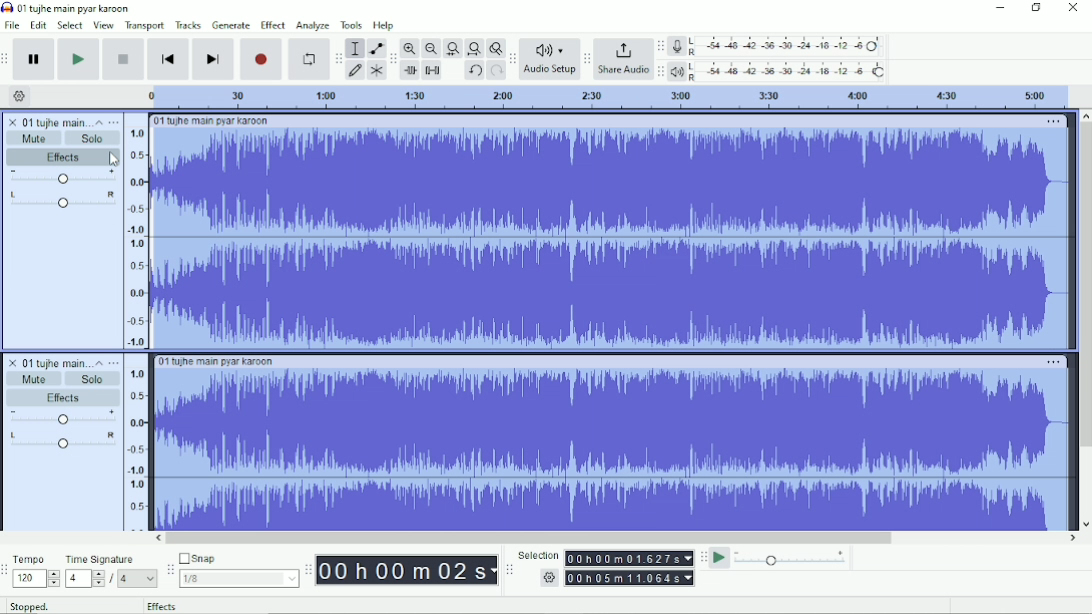 This screenshot has height=614, width=1092. Describe the element at coordinates (31, 380) in the screenshot. I see `Mute` at that location.